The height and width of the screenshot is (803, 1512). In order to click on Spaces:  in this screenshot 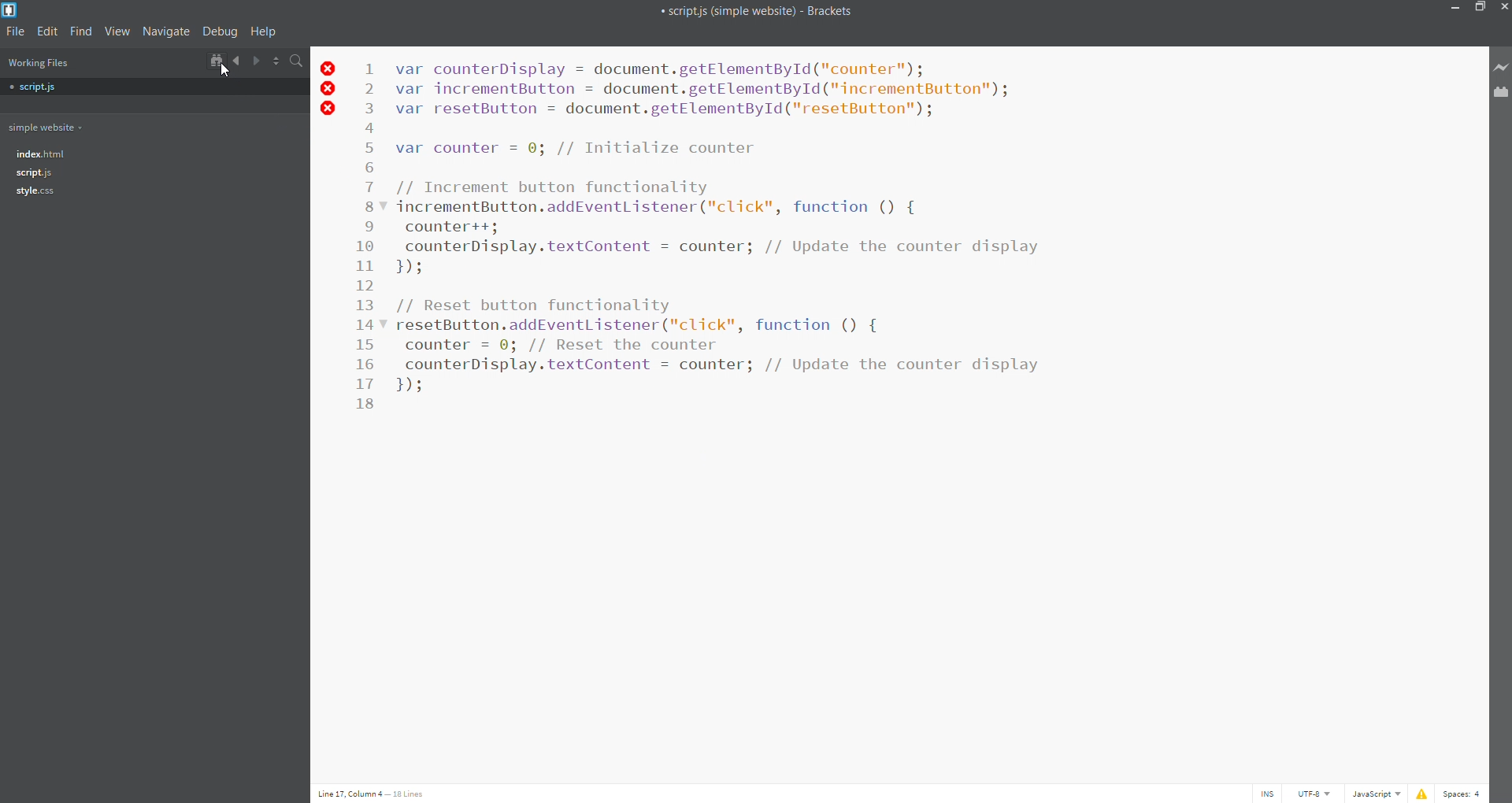, I will do `click(1464, 794)`.